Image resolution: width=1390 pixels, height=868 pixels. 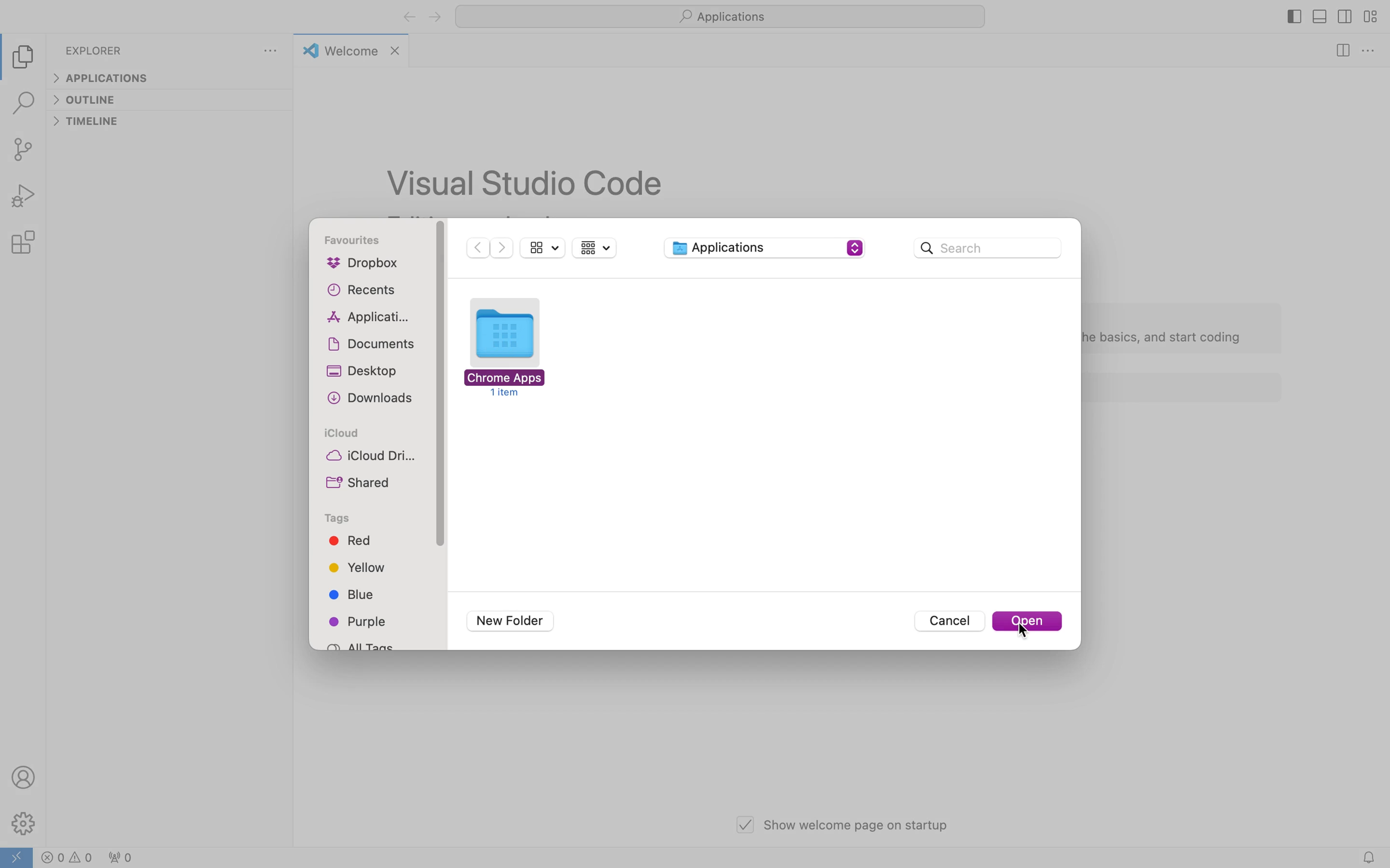 I want to click on icloud, so click(x=340, y=433).